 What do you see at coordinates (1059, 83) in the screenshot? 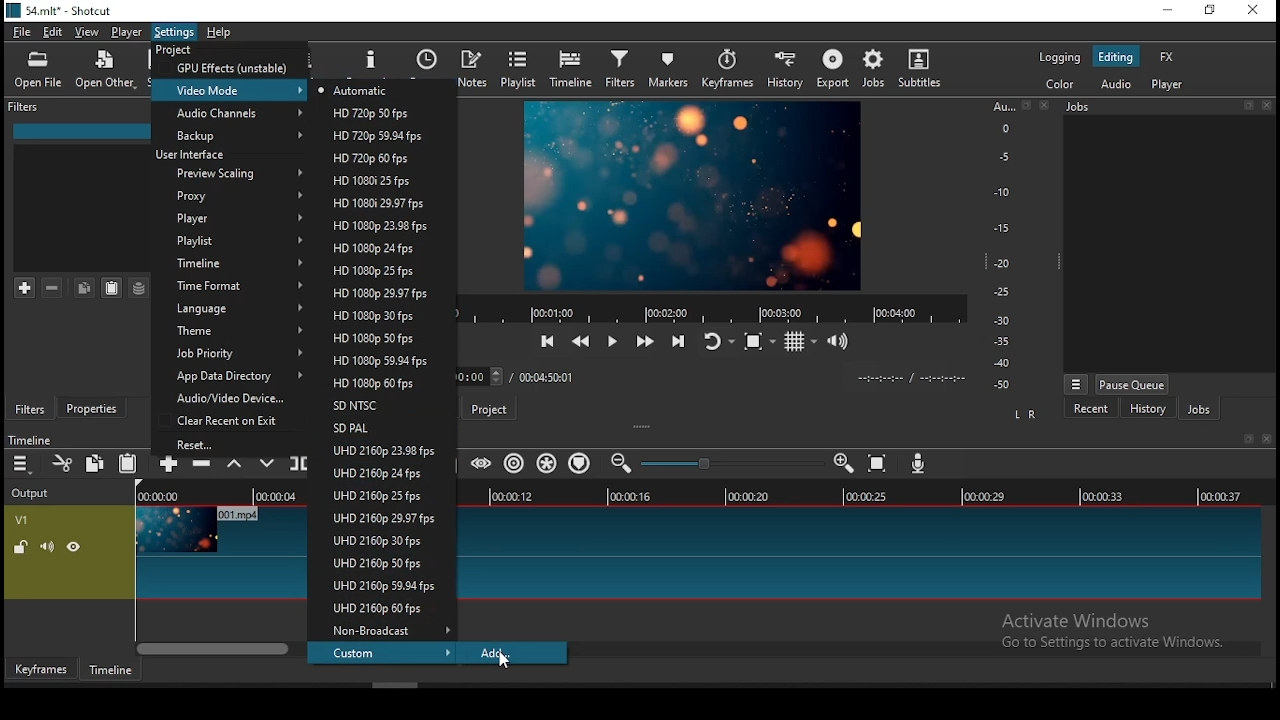
I see `color` at bounding box center [1059, 83].